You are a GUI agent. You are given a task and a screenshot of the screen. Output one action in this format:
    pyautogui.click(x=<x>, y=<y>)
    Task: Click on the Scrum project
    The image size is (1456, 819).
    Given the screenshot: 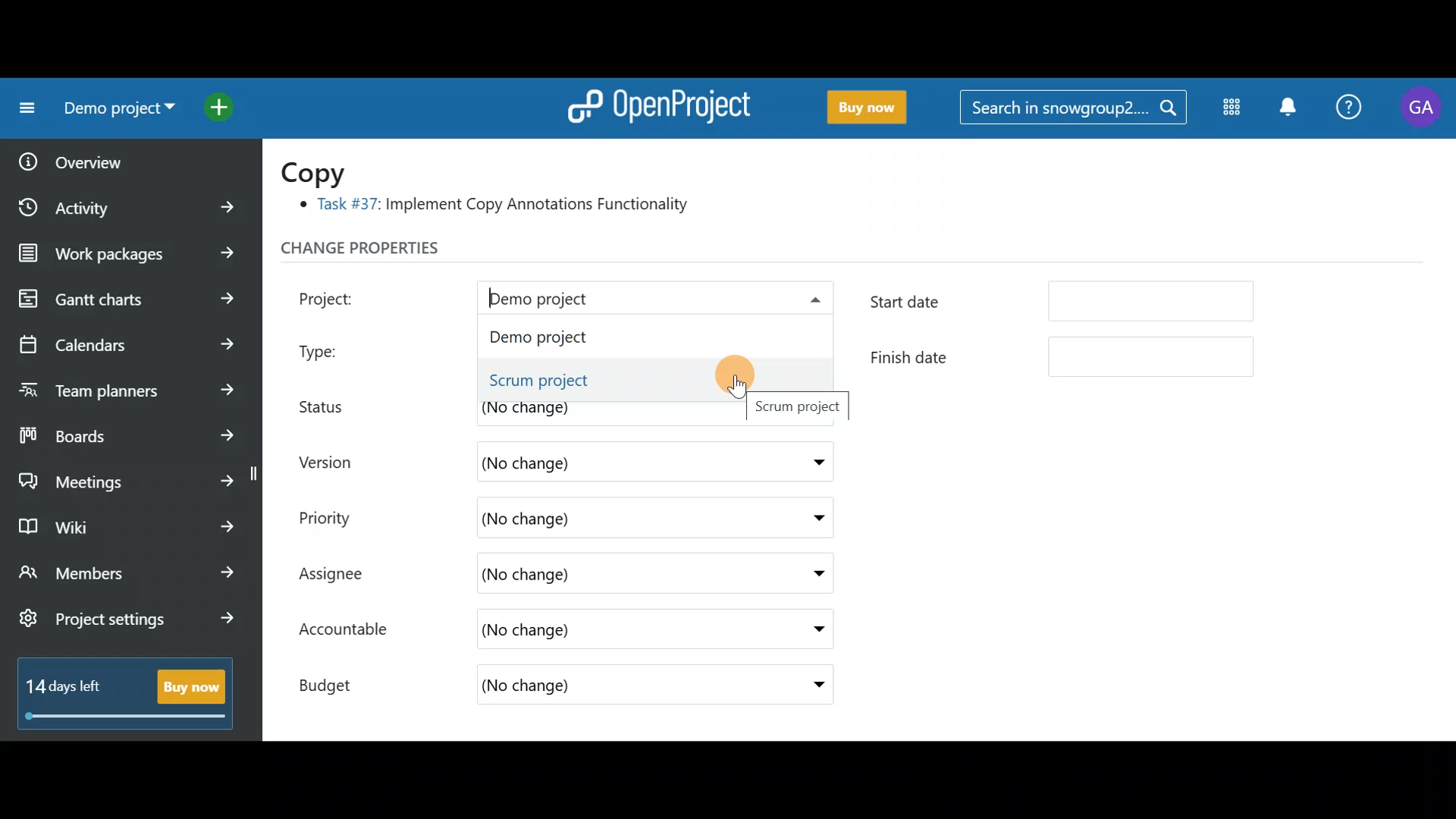 What is the action you would take?
    pyautogui.click(x=617, y=381)
    